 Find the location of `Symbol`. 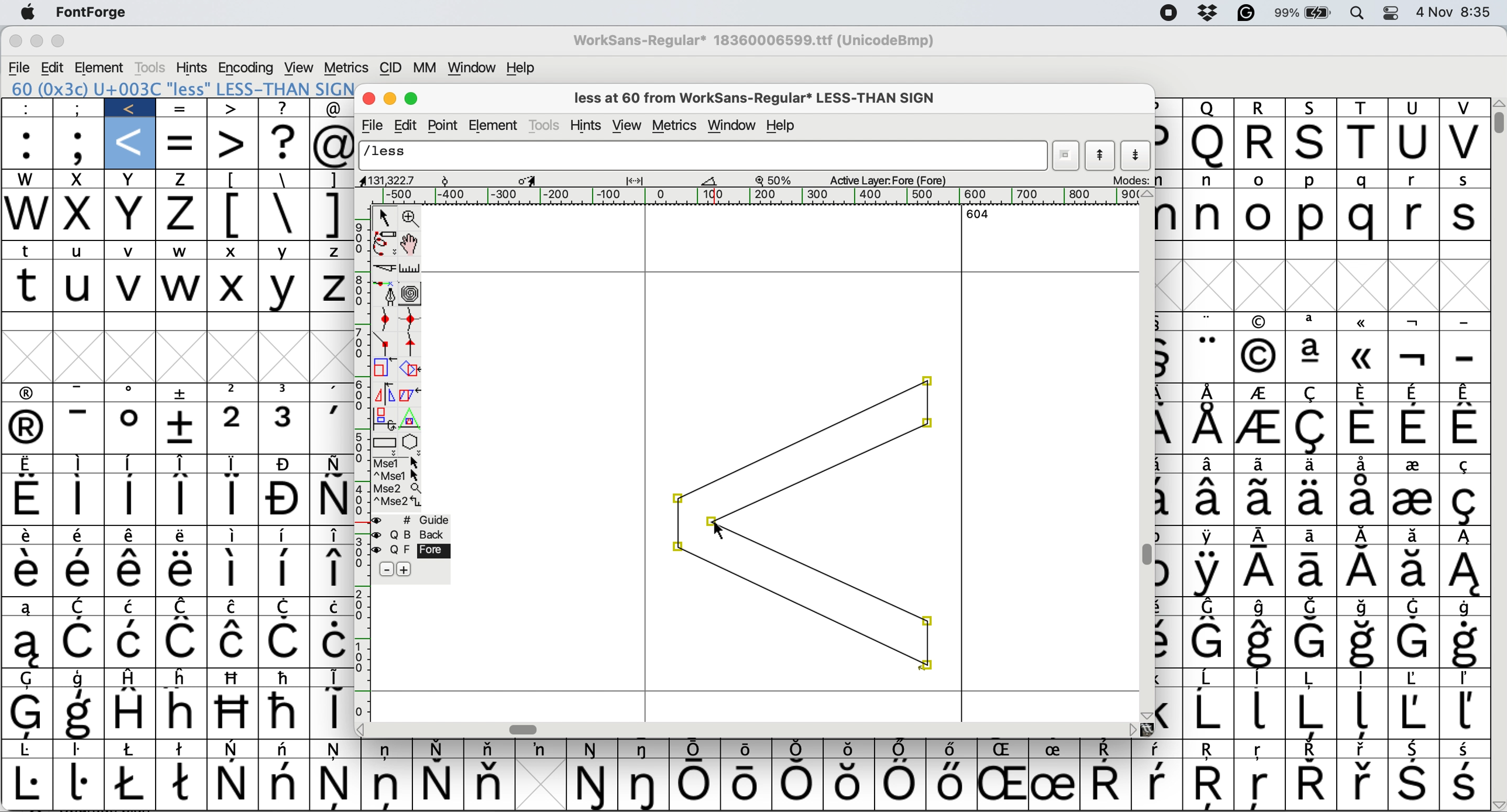

Symbol is located at coordinates (232, 463).